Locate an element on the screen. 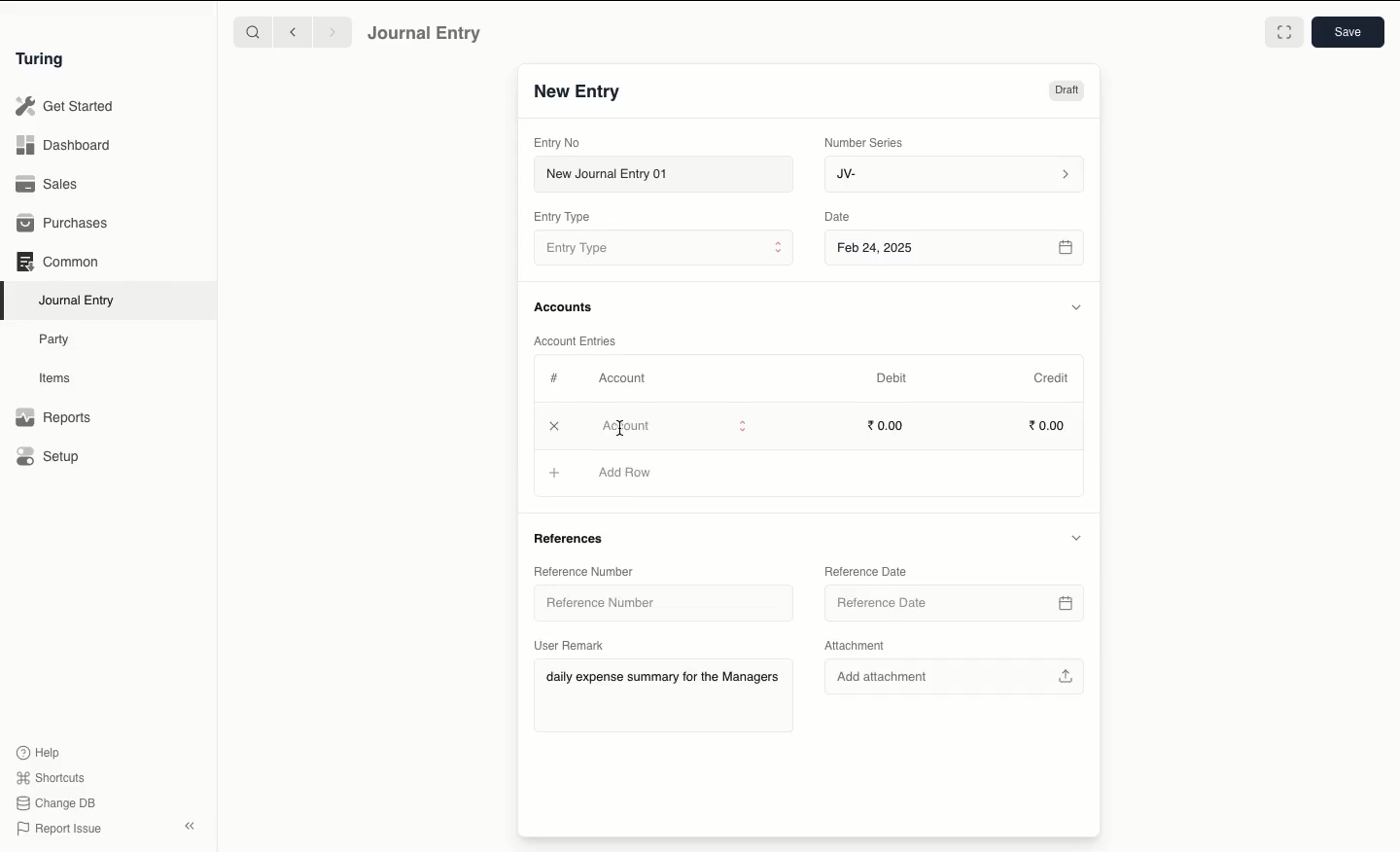 The image size is (1400, 852). Add is located at coordinates (553, 470).